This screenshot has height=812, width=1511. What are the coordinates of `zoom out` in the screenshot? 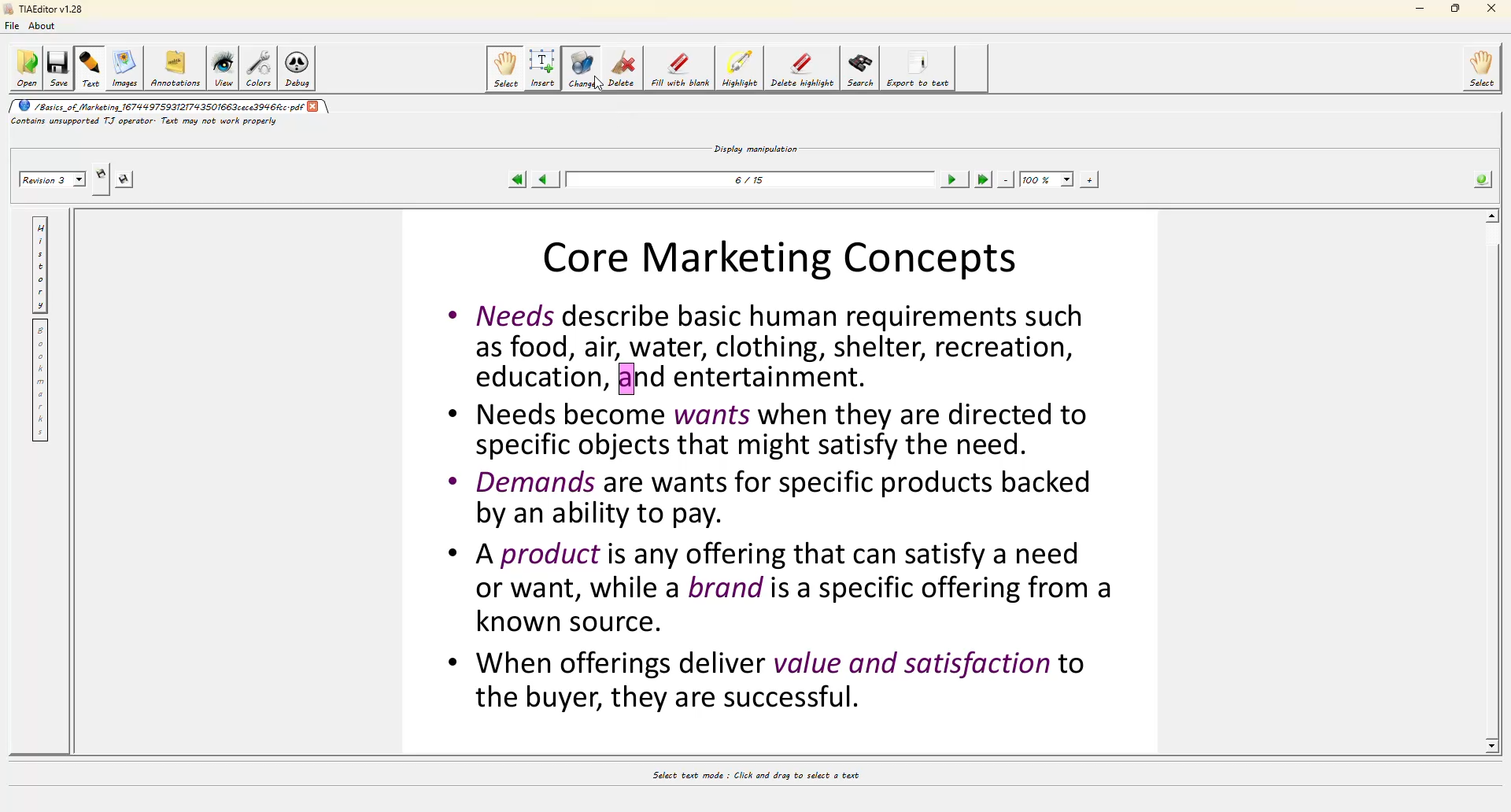 It's located at (1007, 179).